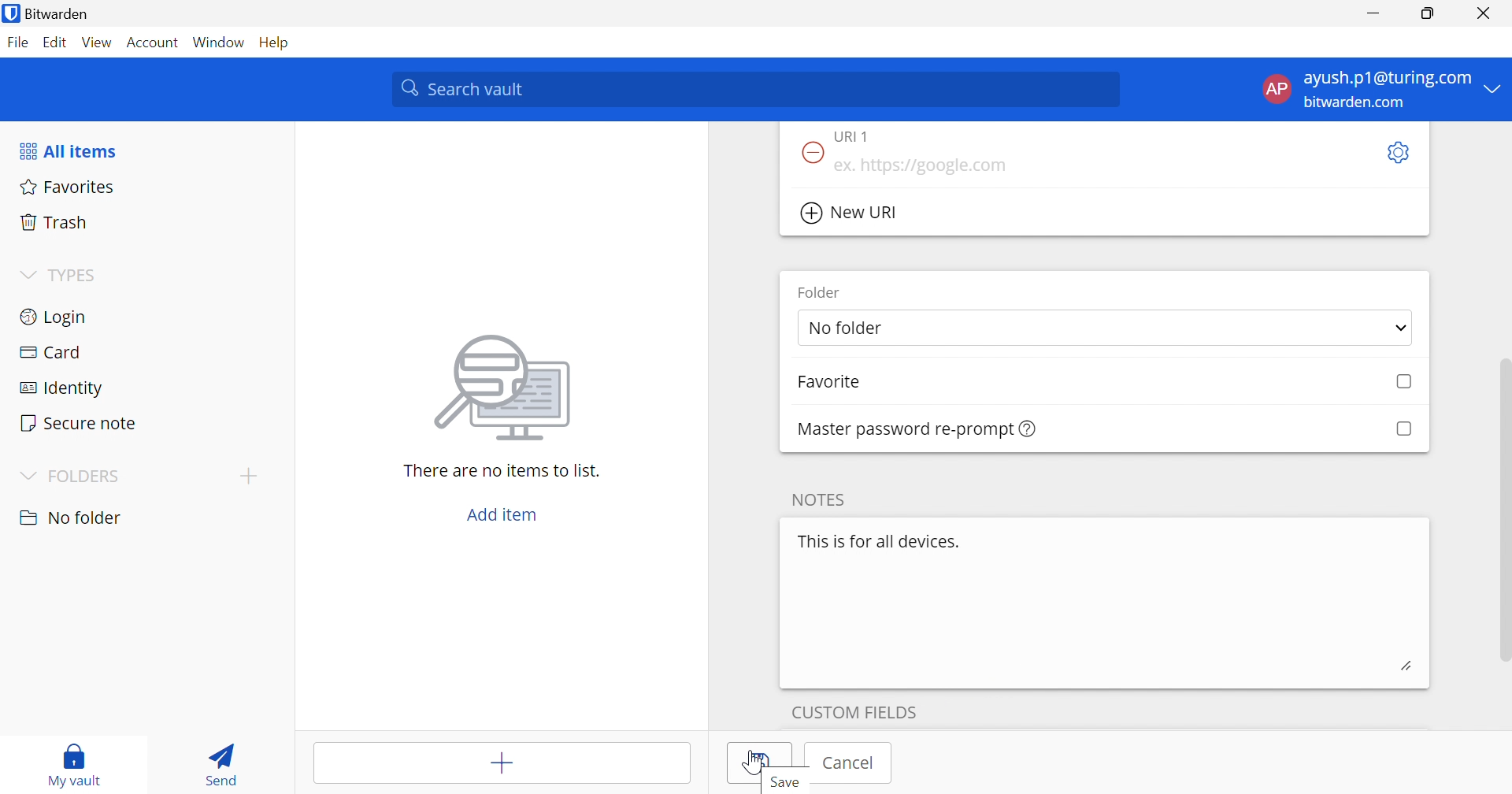 The height and width of the screenshot is (794, 1512). What do you see at coordinates (862, 135) in the screenshot?
I see `URI 1` at bounding box center [862, 135].